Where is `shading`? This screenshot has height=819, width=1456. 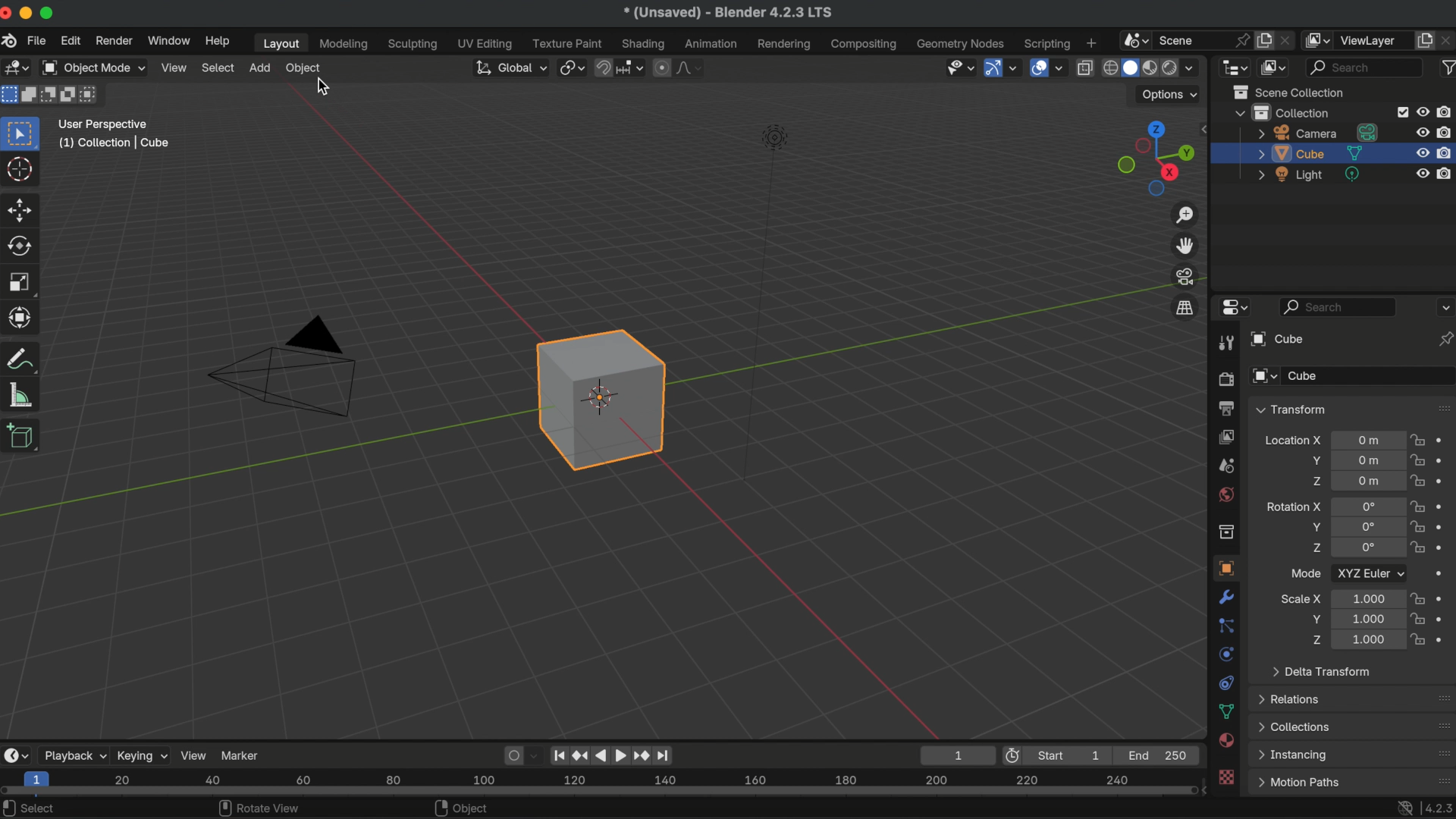 shading is located at coordinates (645, 43).